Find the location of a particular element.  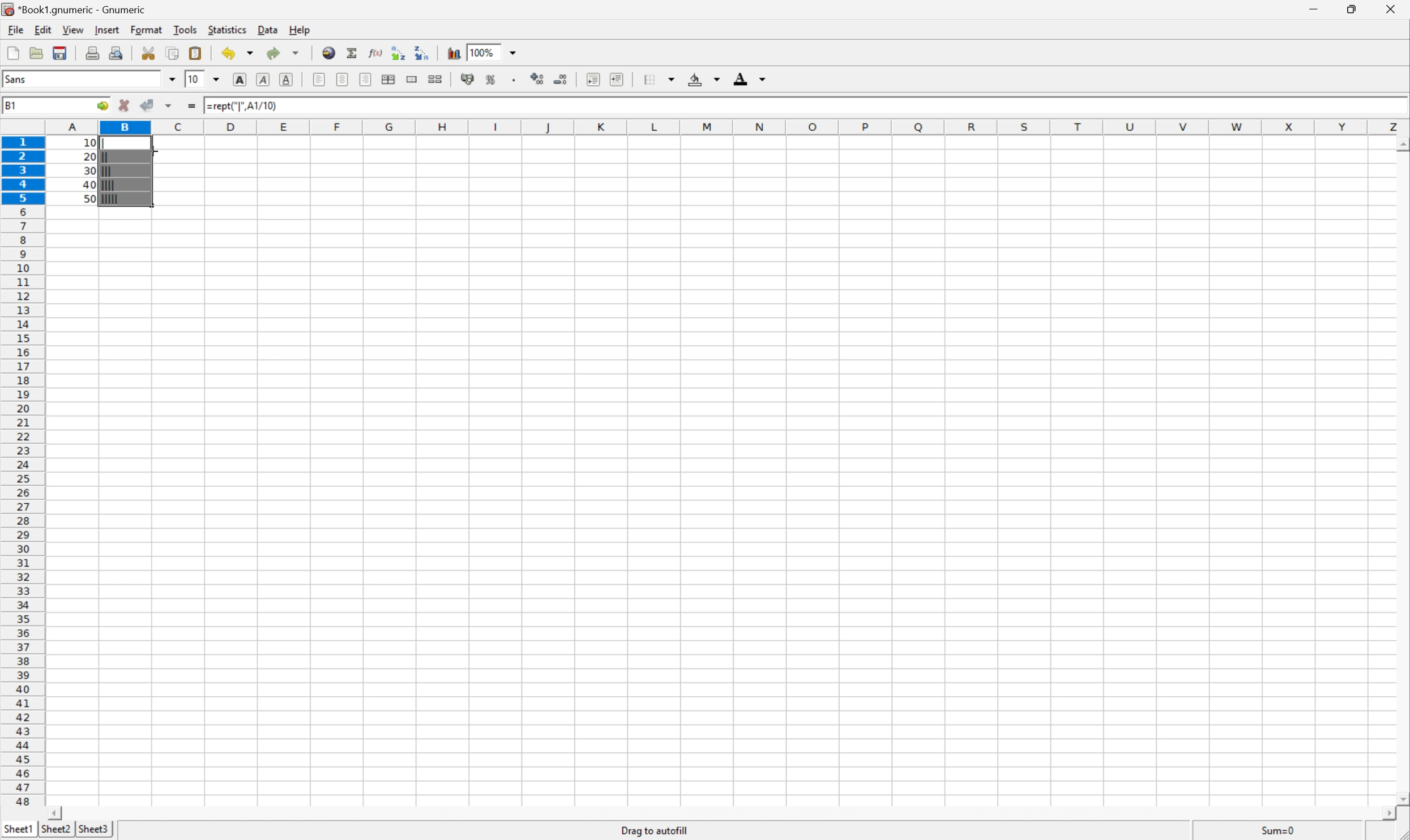

A1 is located at coordinates (14, 106).